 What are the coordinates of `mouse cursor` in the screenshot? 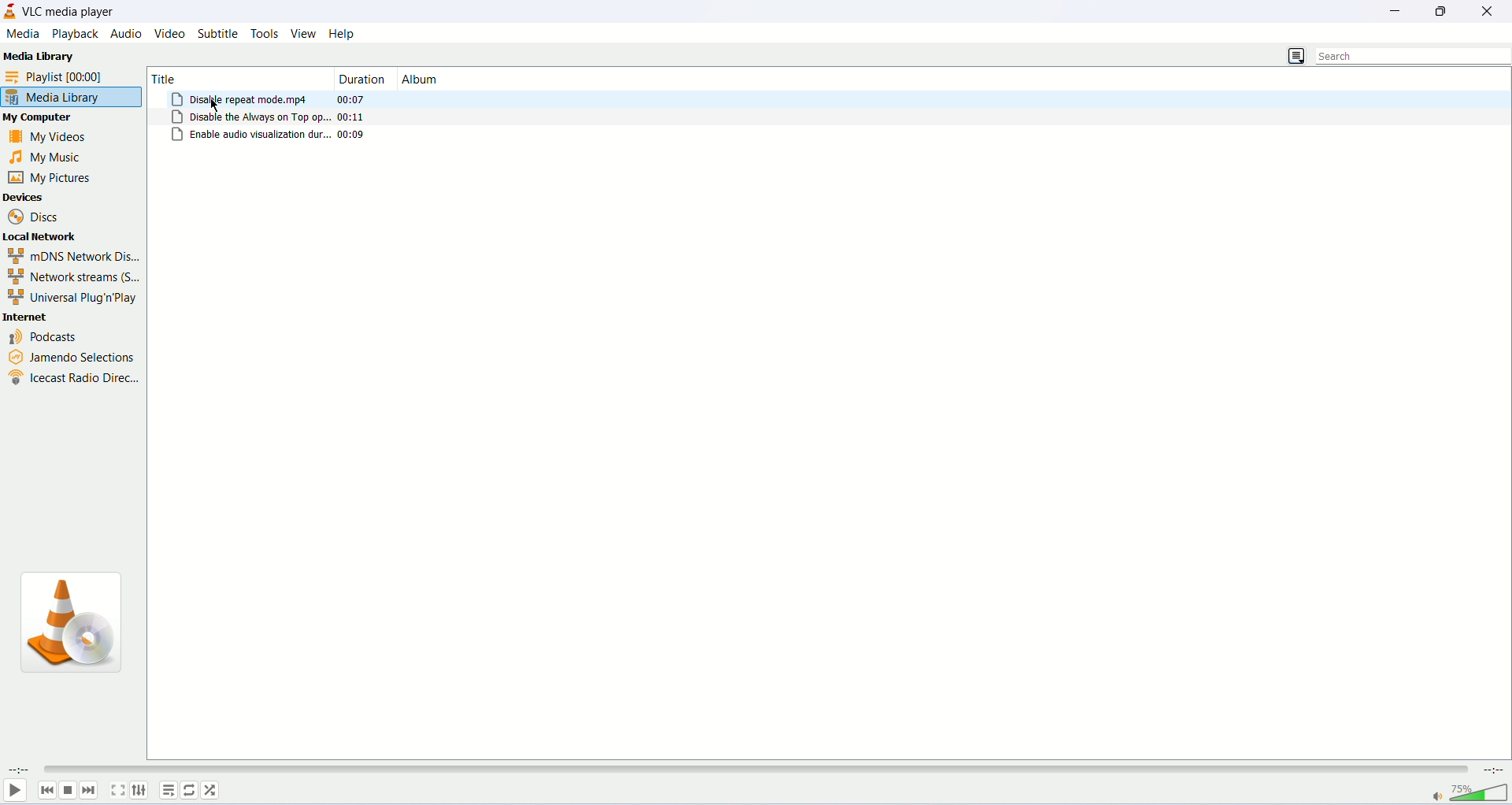 It's located at (214, 106).